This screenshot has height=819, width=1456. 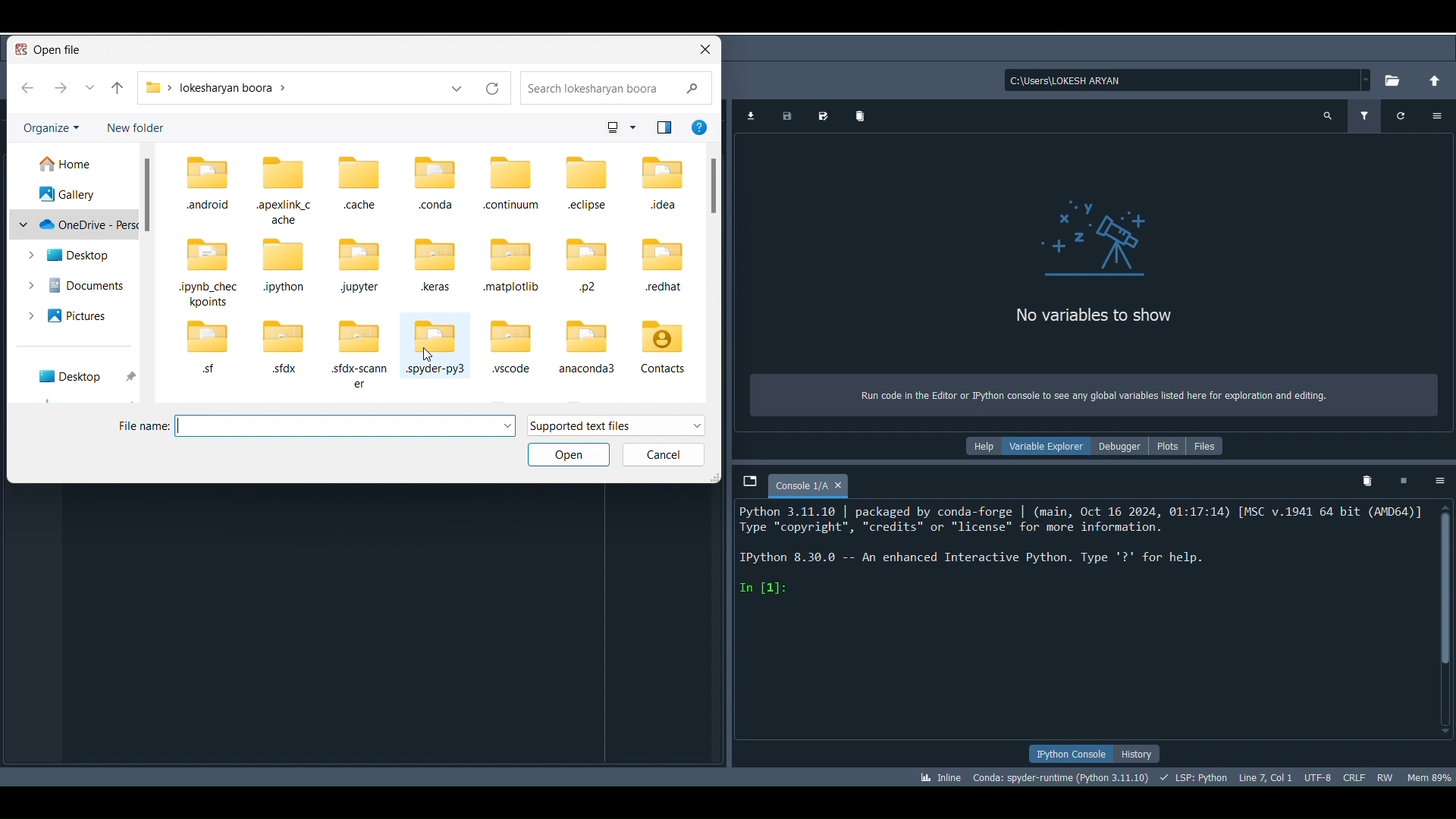 What do you see at coordinates (282, 188) in the screenshot?
I see `Folder` at bounding box center [282, 188].